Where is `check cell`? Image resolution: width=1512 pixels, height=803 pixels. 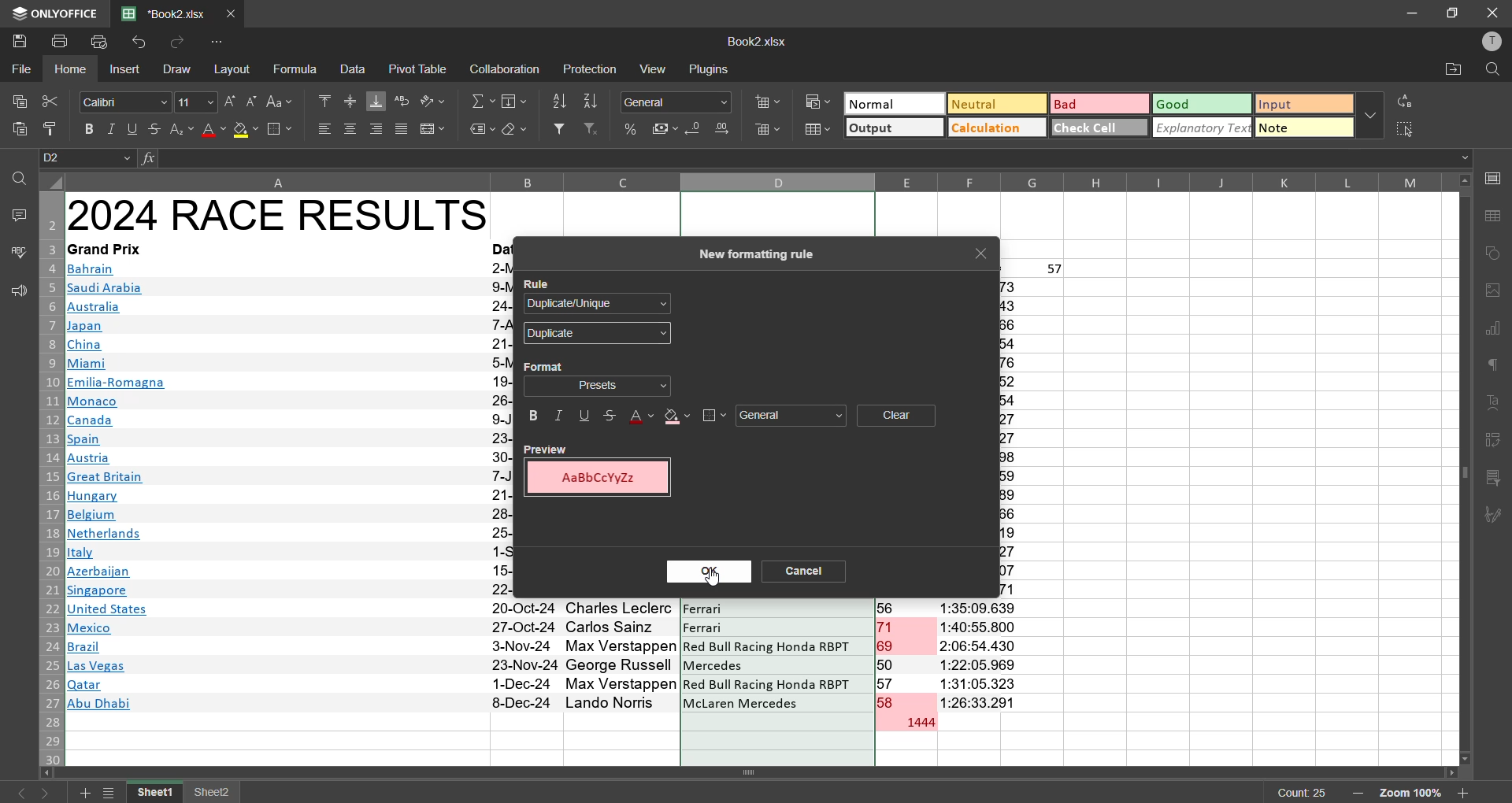
check cell is located at coordinates (1096, 126).